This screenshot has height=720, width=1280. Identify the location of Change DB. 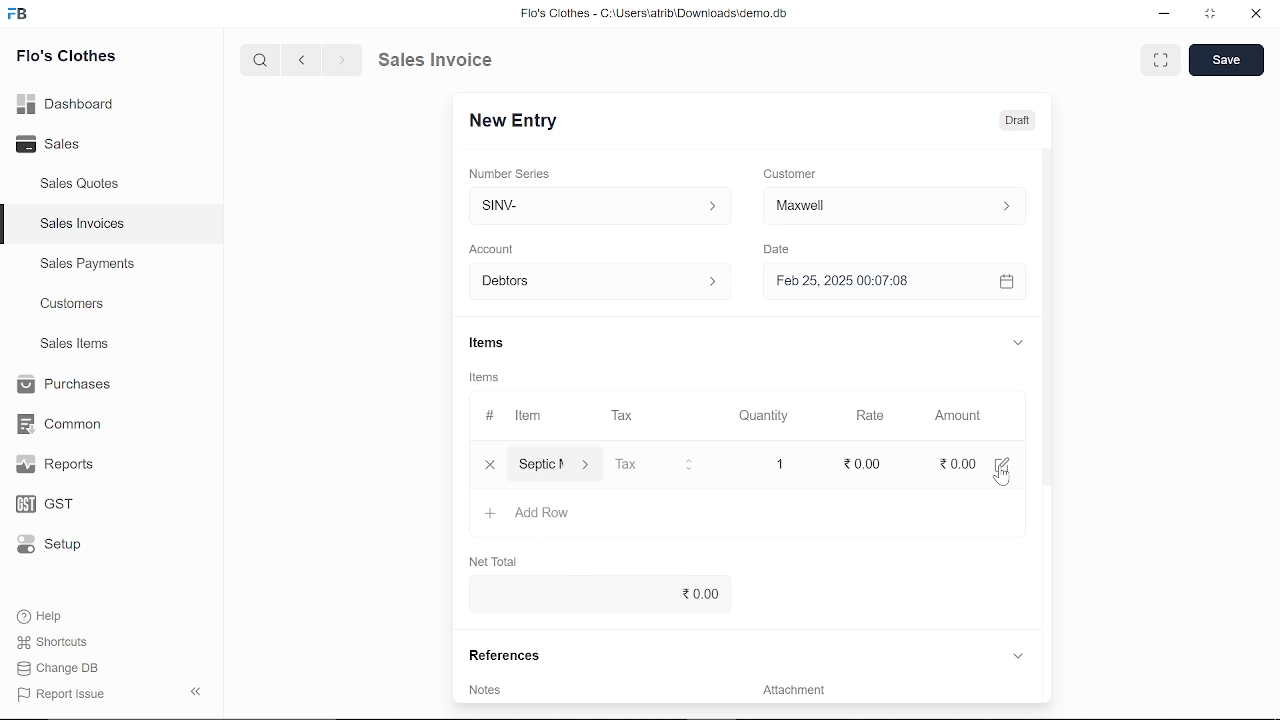
(60, 667).